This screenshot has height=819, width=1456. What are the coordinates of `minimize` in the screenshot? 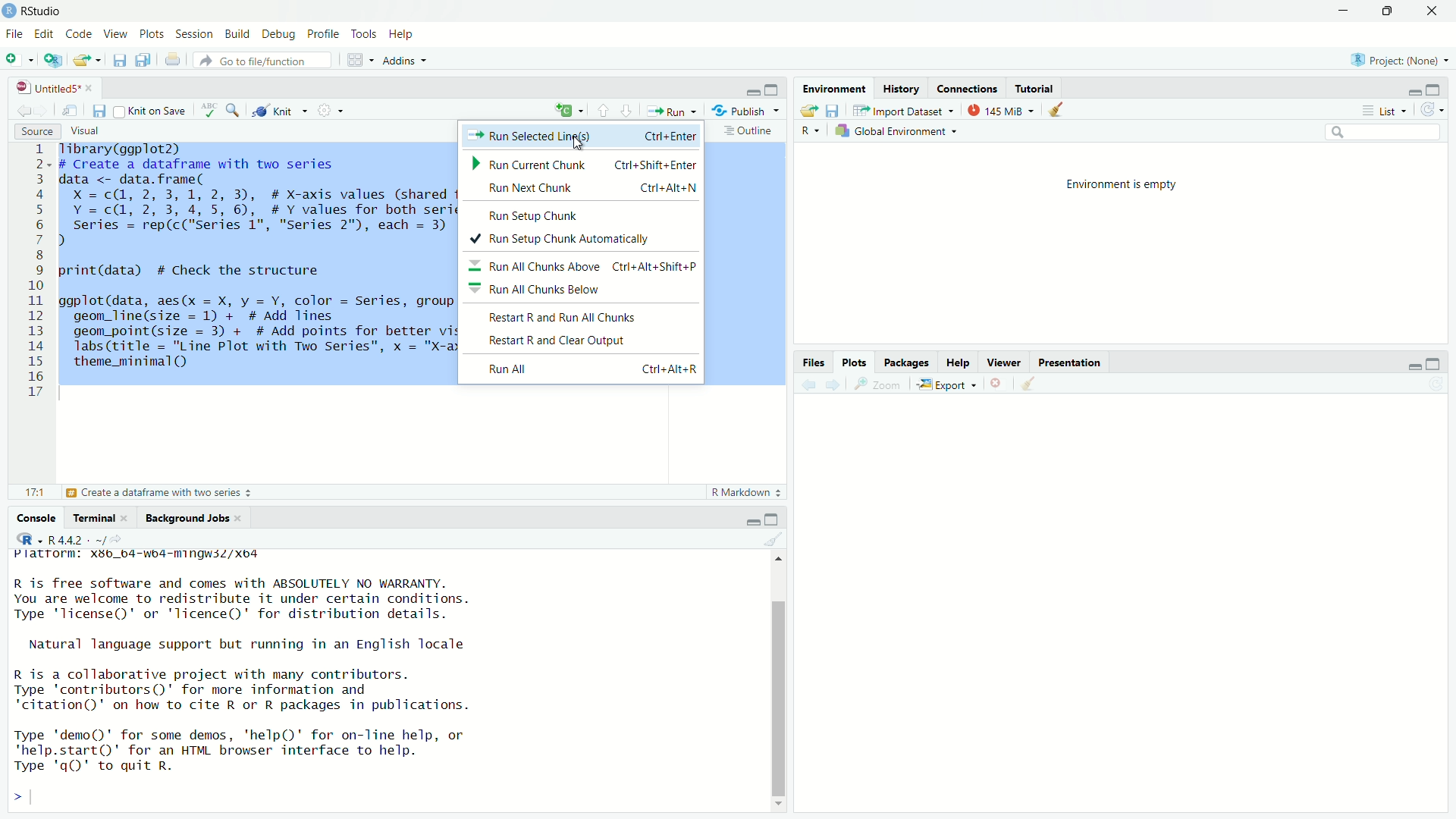 It's located at (1342, 11).